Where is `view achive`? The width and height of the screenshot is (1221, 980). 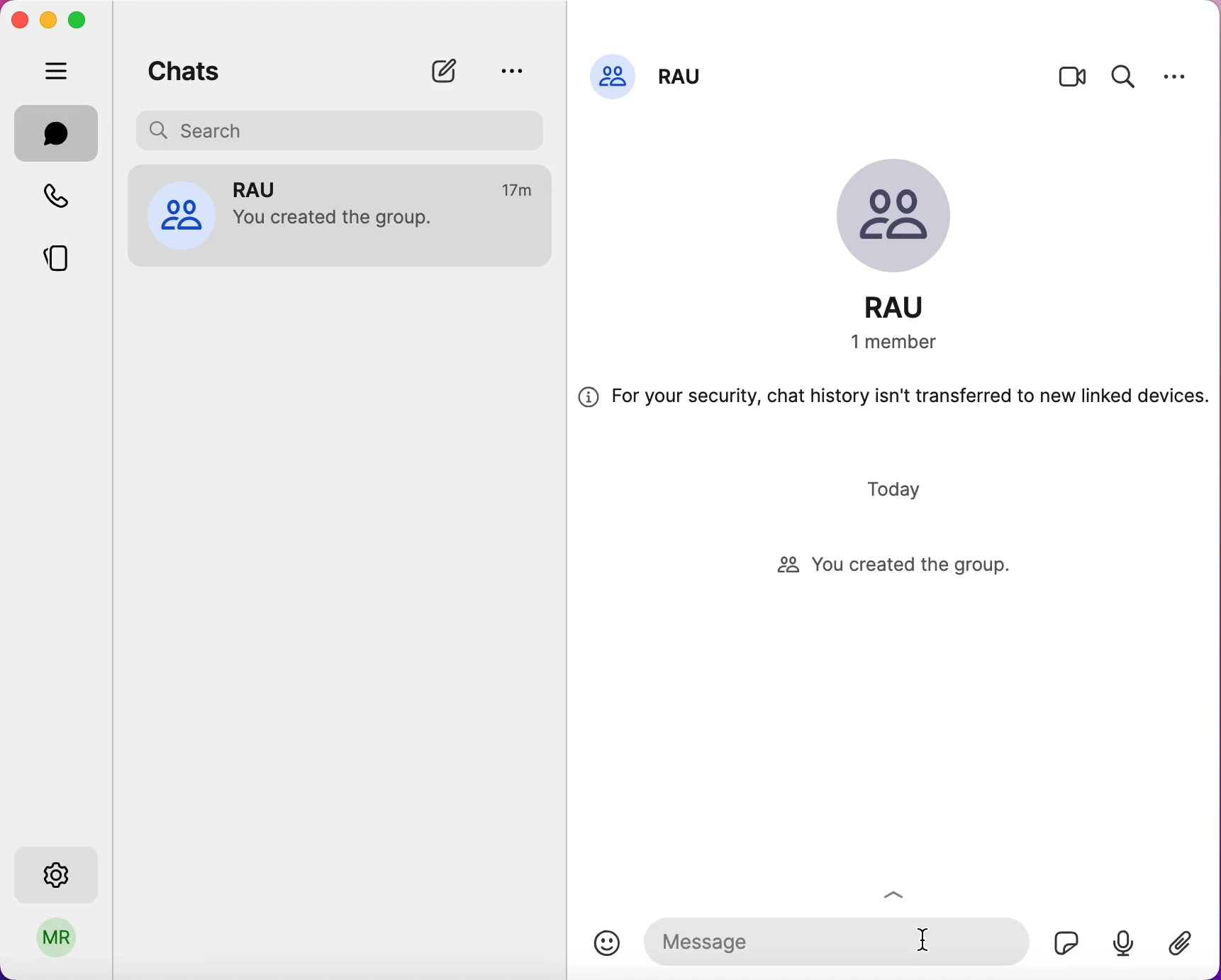
view achive is located at coordinates (511, 70).